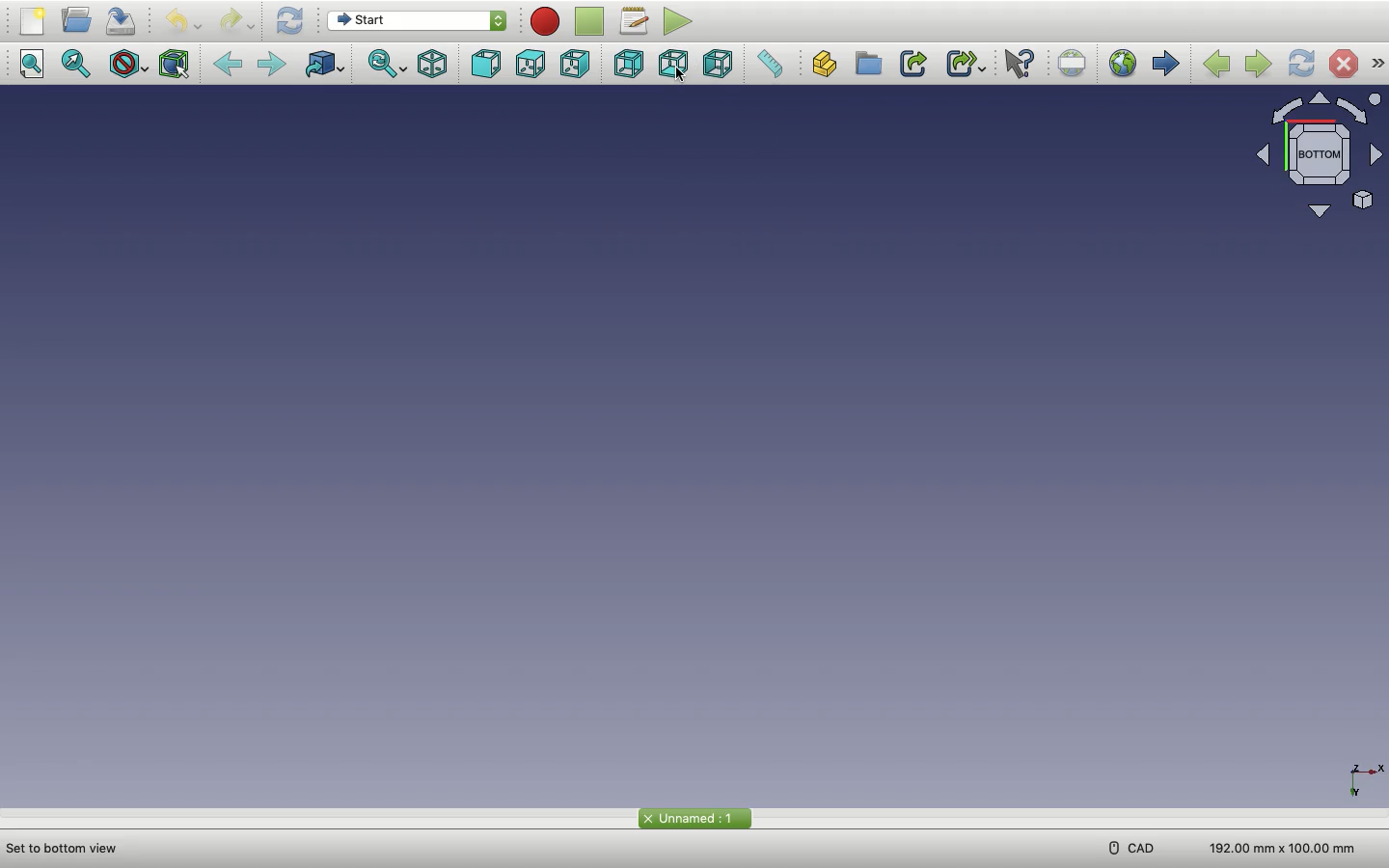 Image resolution: width=1389 pixels, height=868 pixels. I want to click on Stop macro reading, so click(592, 21).